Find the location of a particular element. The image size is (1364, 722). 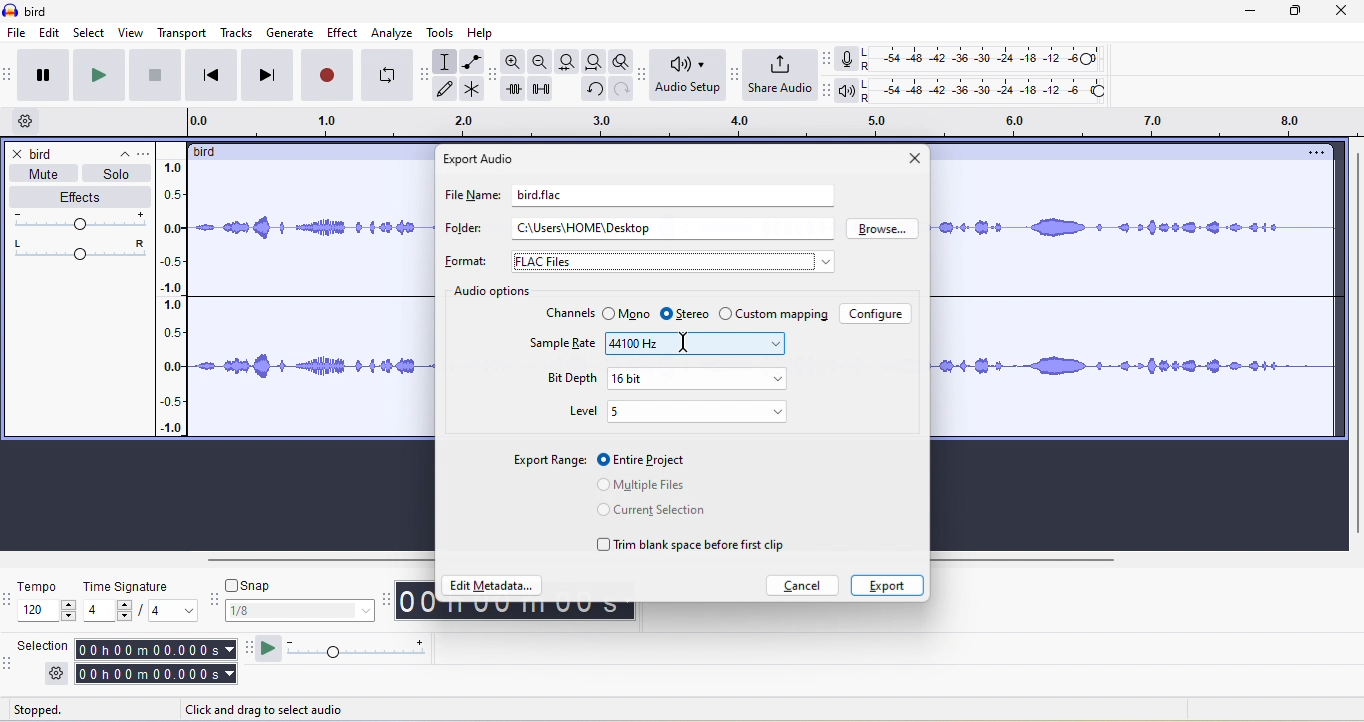

audacity edit toolbar is located at coordinates (495, 78).